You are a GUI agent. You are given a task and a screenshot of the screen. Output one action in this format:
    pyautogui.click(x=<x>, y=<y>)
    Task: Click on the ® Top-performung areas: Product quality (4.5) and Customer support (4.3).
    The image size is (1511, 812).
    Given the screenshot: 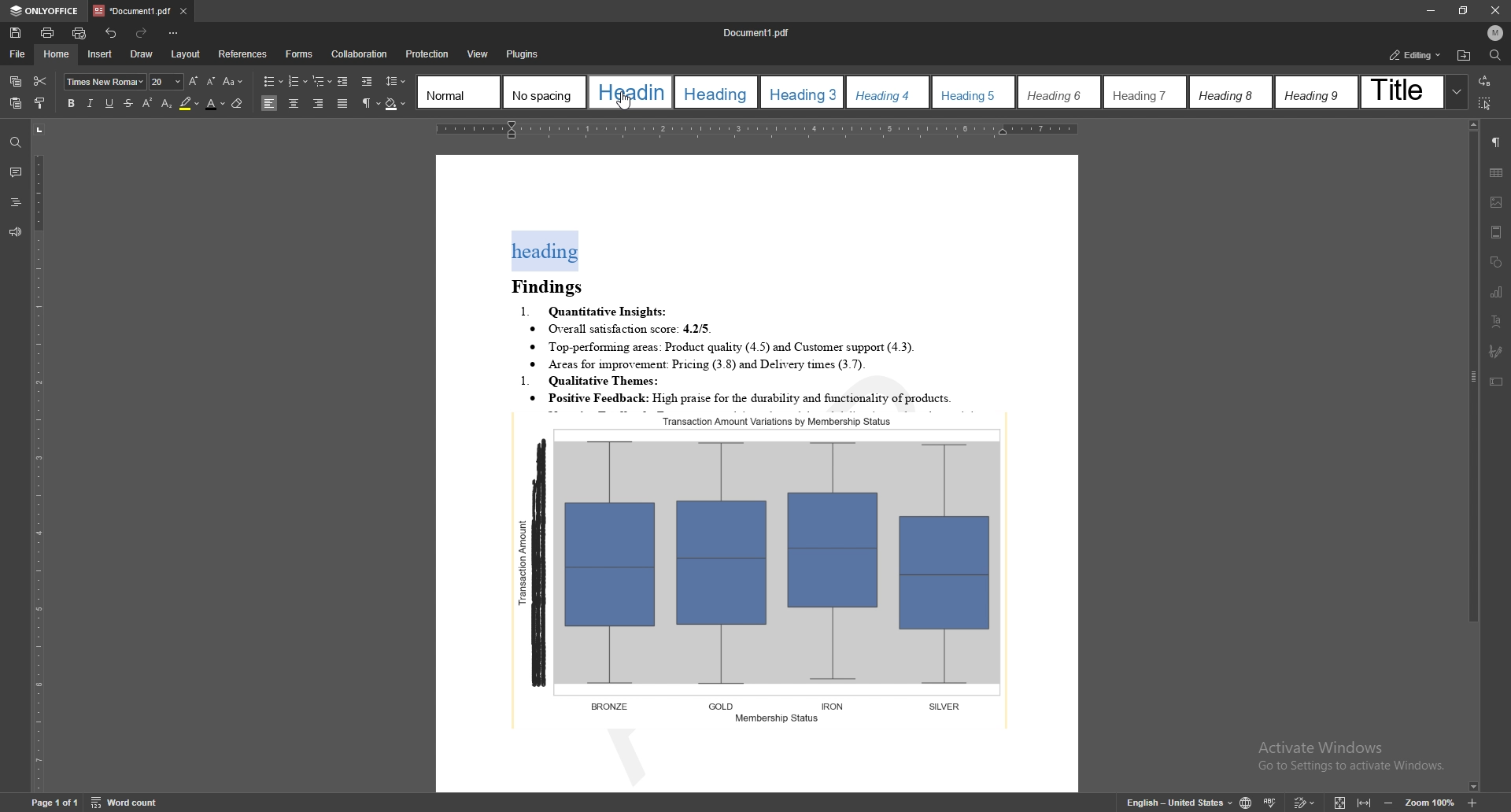 What is the action you would take?
    pyautogui.click(x=729, y=345)
    